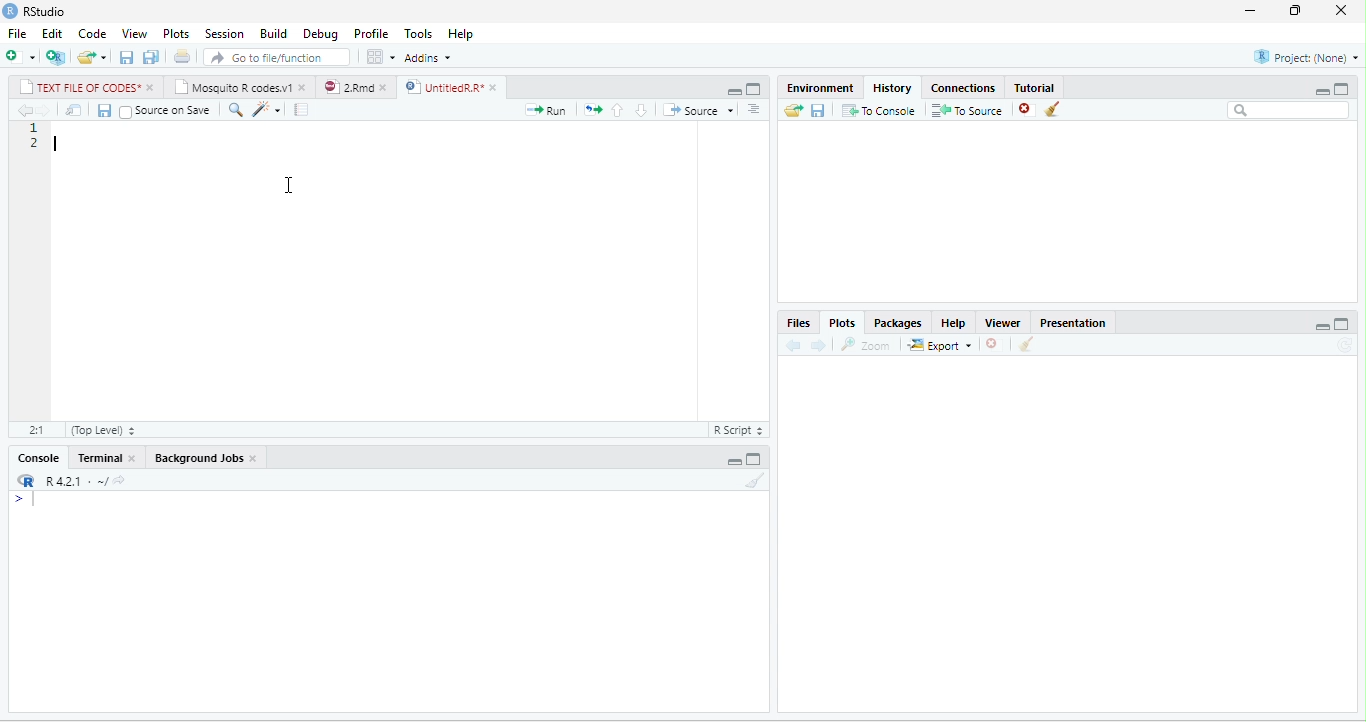  I want to click on new project, so click(55, 57).